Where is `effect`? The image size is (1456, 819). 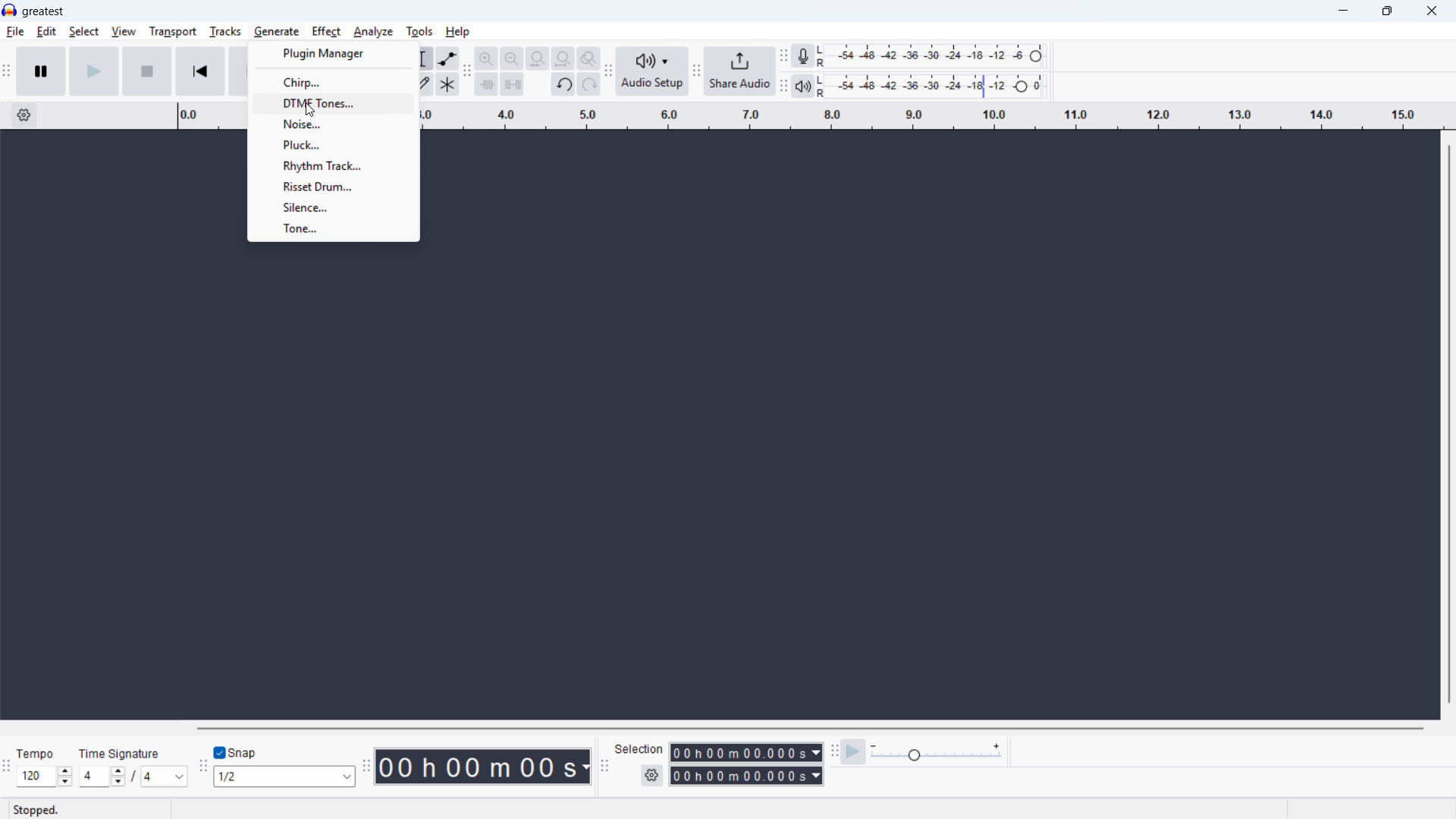
effect is located at coordinates (327, 32).